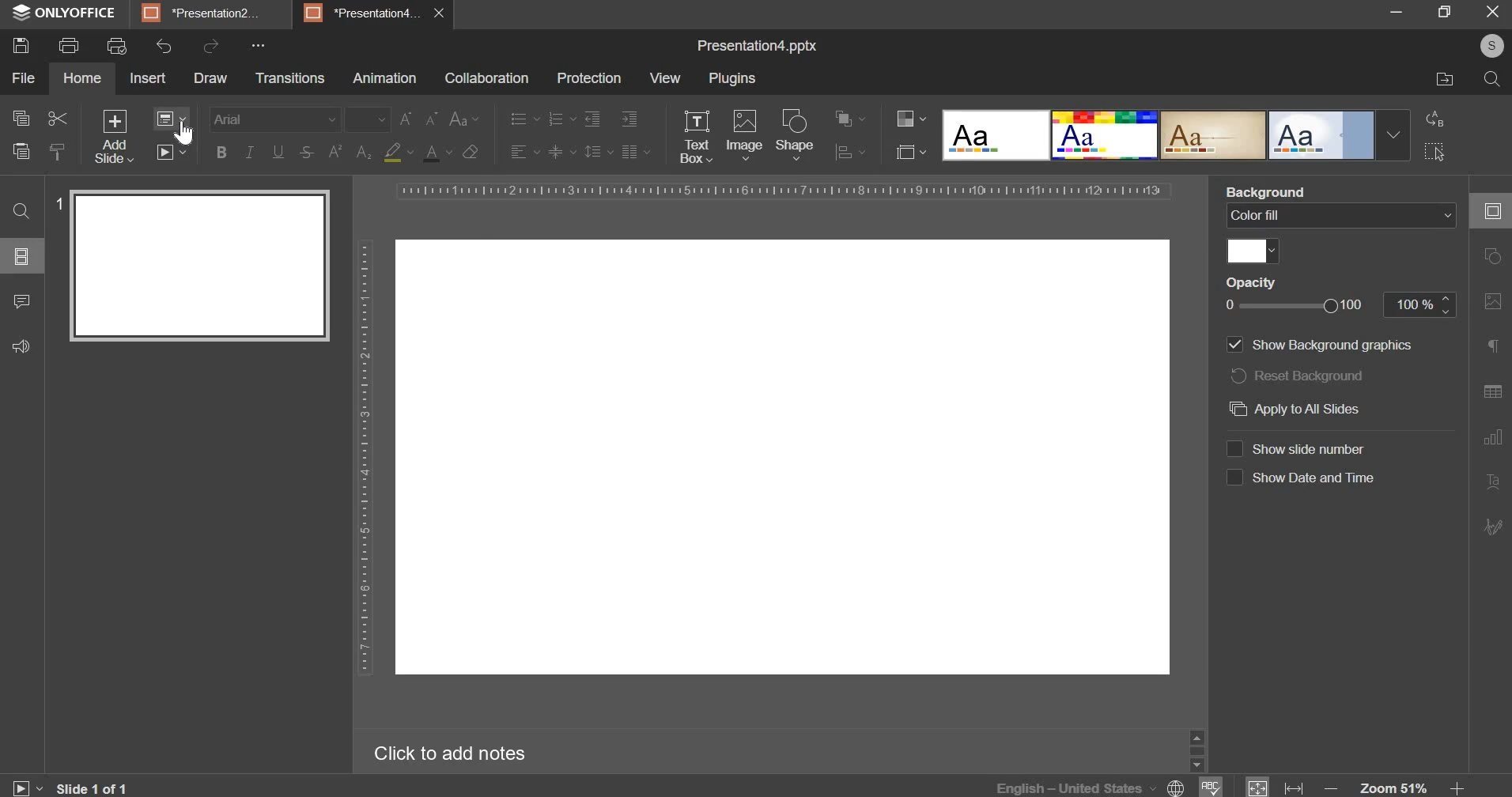 Image resolution: width=1512 pixels, height=797 pixels. I want to click on fill color, so click(1253, 251).